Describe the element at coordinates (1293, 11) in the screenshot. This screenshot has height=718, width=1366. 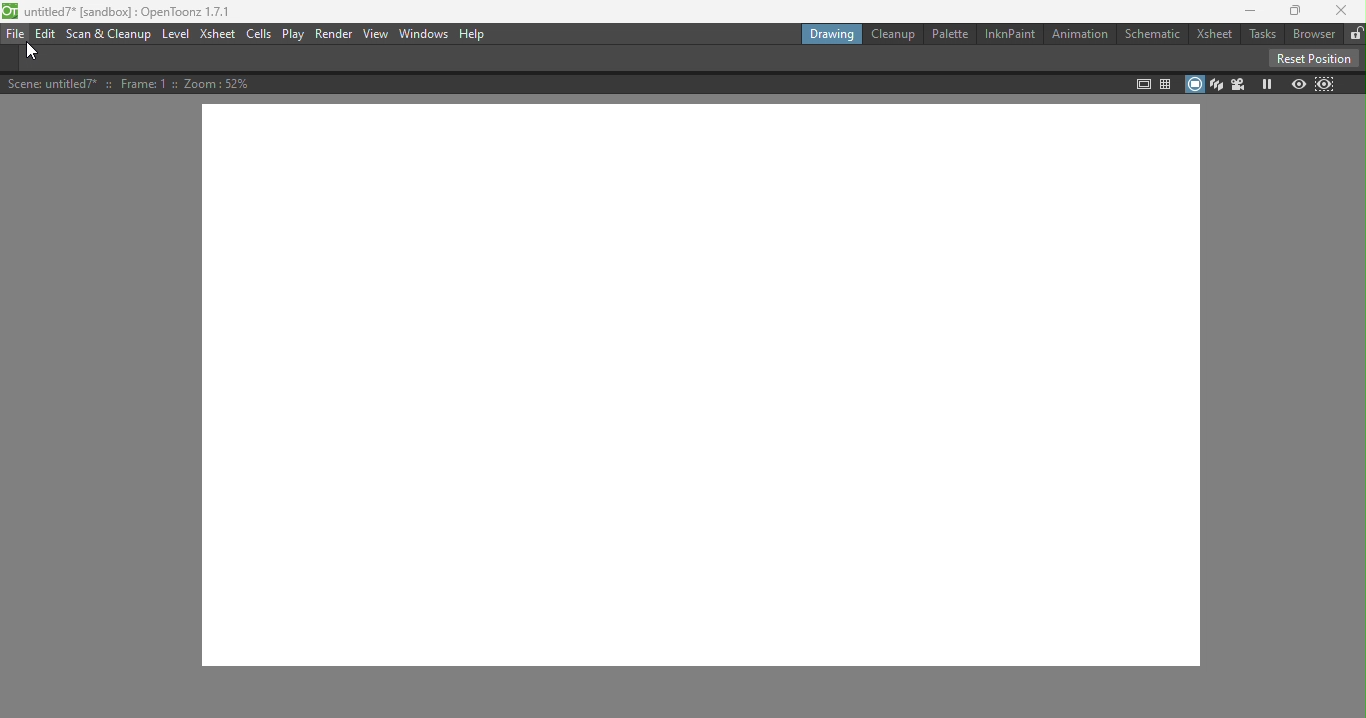
I see `Maximize` at that location.